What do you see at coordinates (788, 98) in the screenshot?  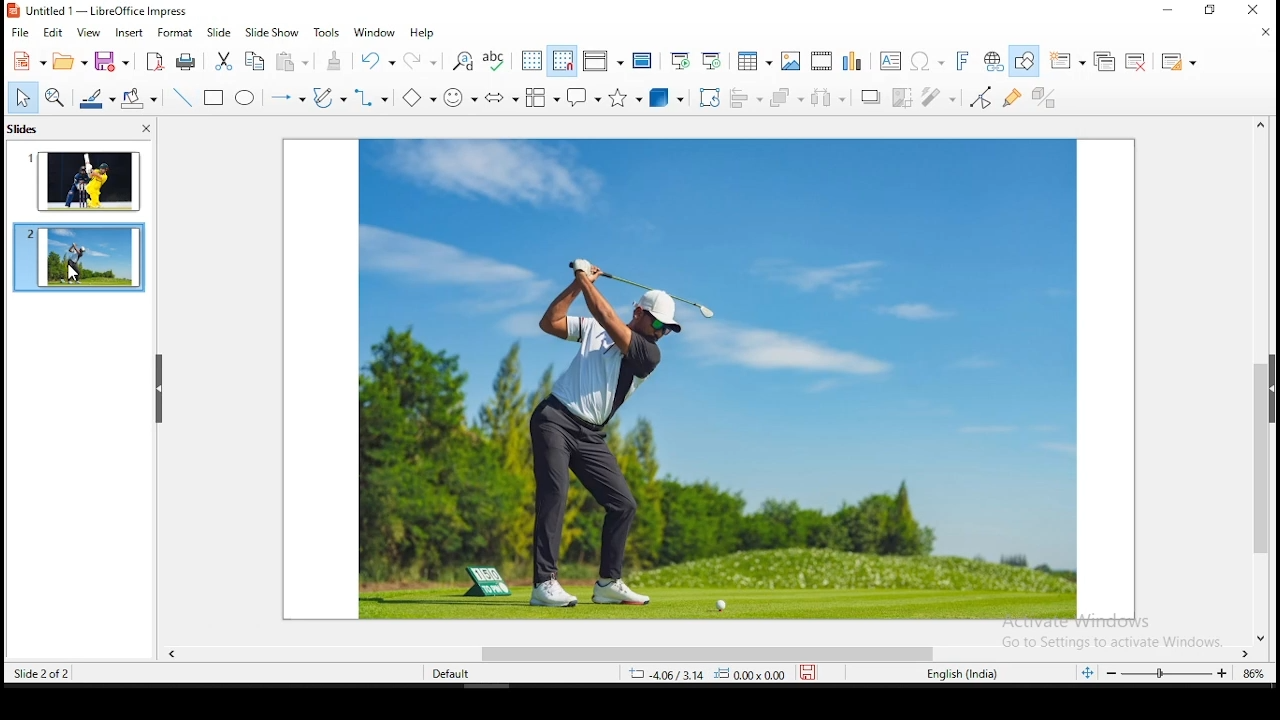 I see `arrange` at bounding box center [788, 98].